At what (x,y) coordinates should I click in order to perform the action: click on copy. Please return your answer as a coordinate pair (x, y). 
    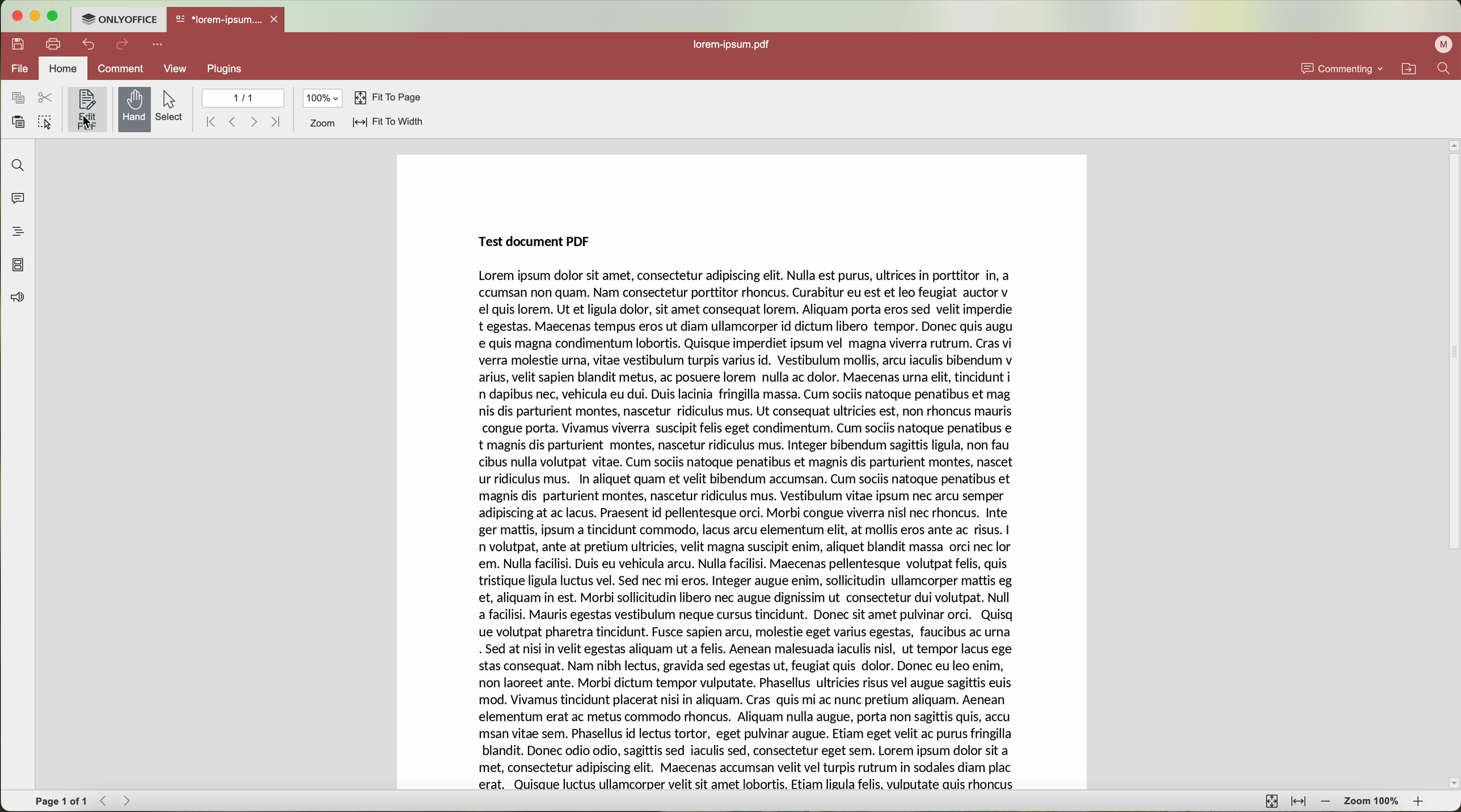
    Looking at the image, I should click on (15, 97).